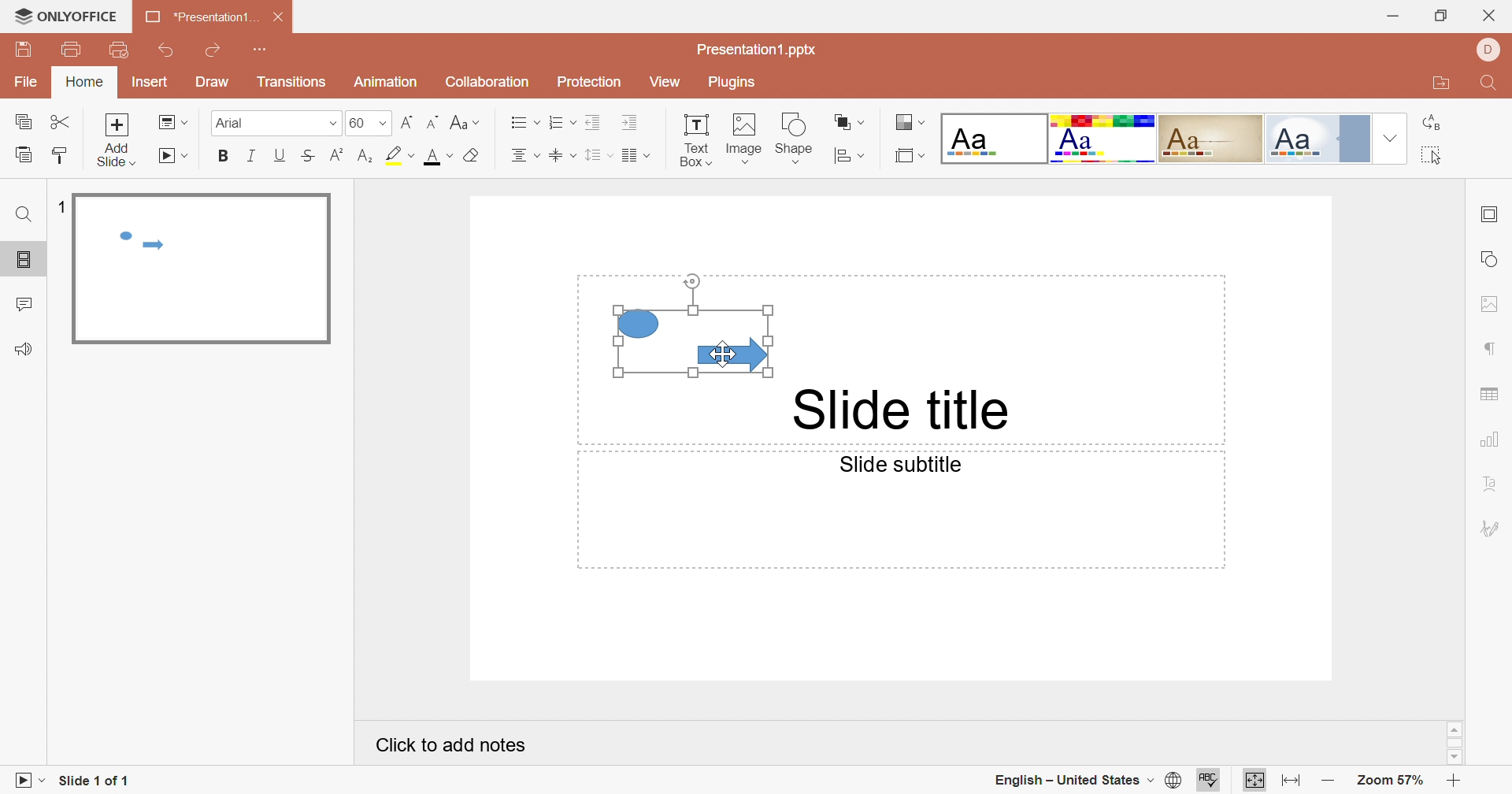 The width and height of the screenshot is (1512, 794). I want to click on Insert columns, so click(636, 159).